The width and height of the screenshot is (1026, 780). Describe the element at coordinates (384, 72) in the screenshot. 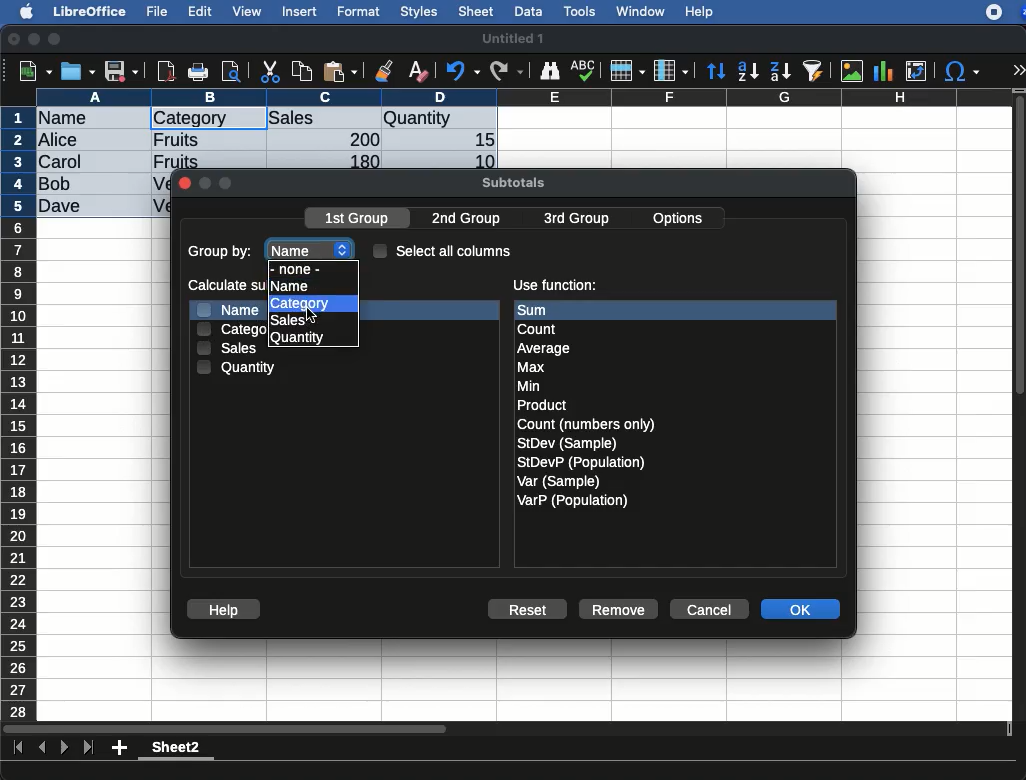

I see `clone formatting` at that location.